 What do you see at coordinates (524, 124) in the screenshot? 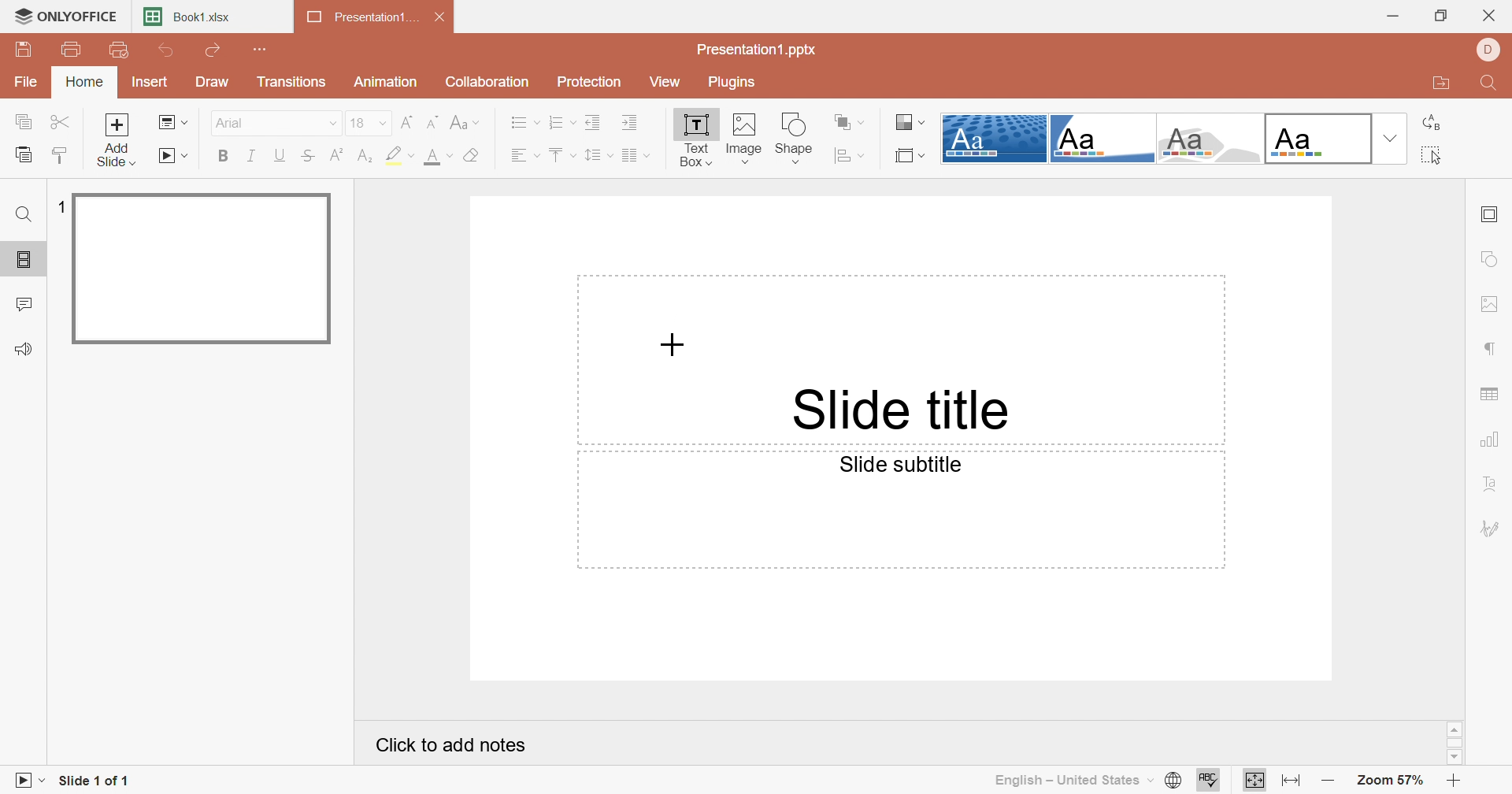
I see `Bullets` at bounding box center [524, 124].